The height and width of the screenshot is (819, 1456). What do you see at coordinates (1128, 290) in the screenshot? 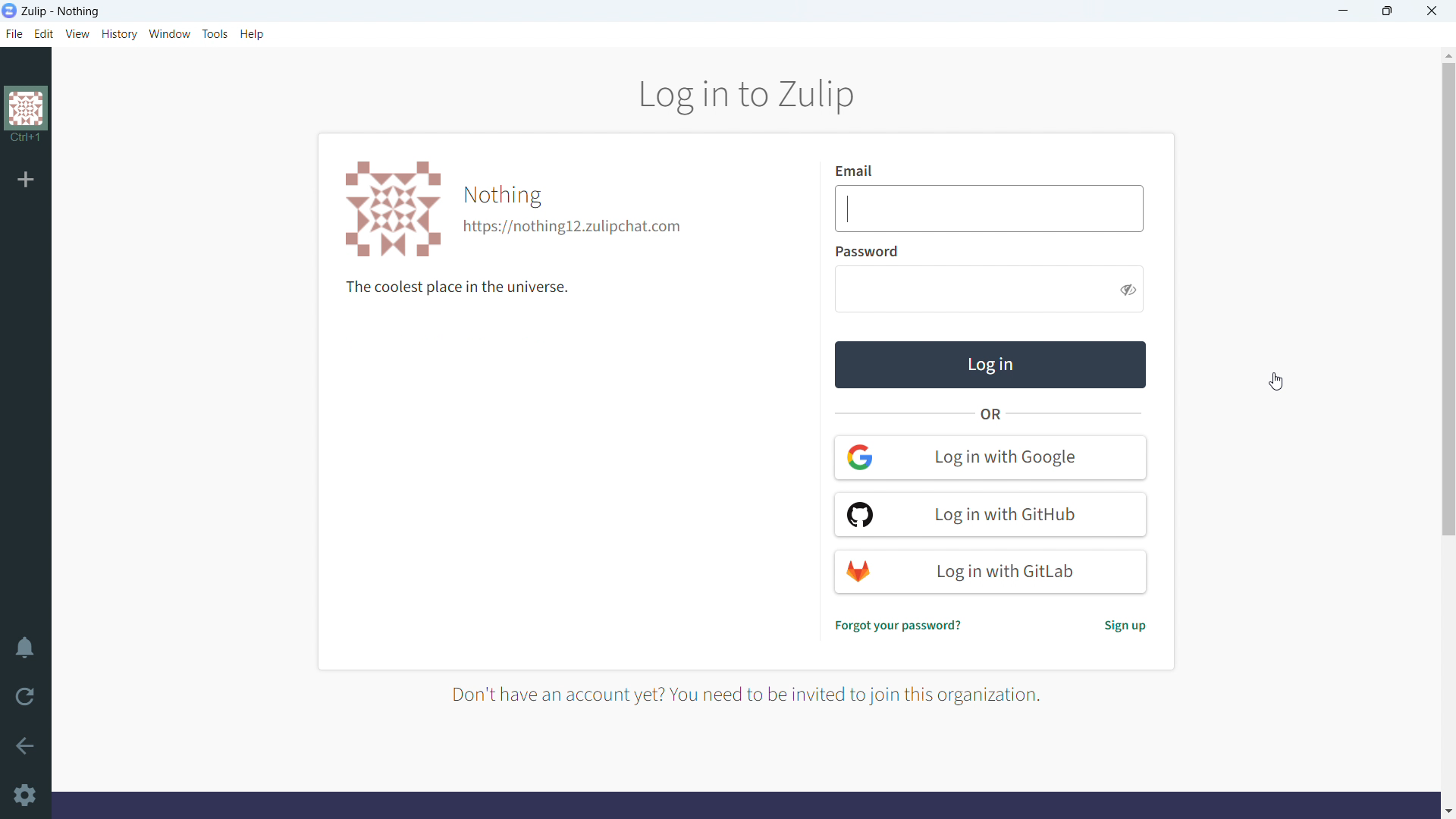
I see `toggle visibility` at bounding box center [1128, 290].